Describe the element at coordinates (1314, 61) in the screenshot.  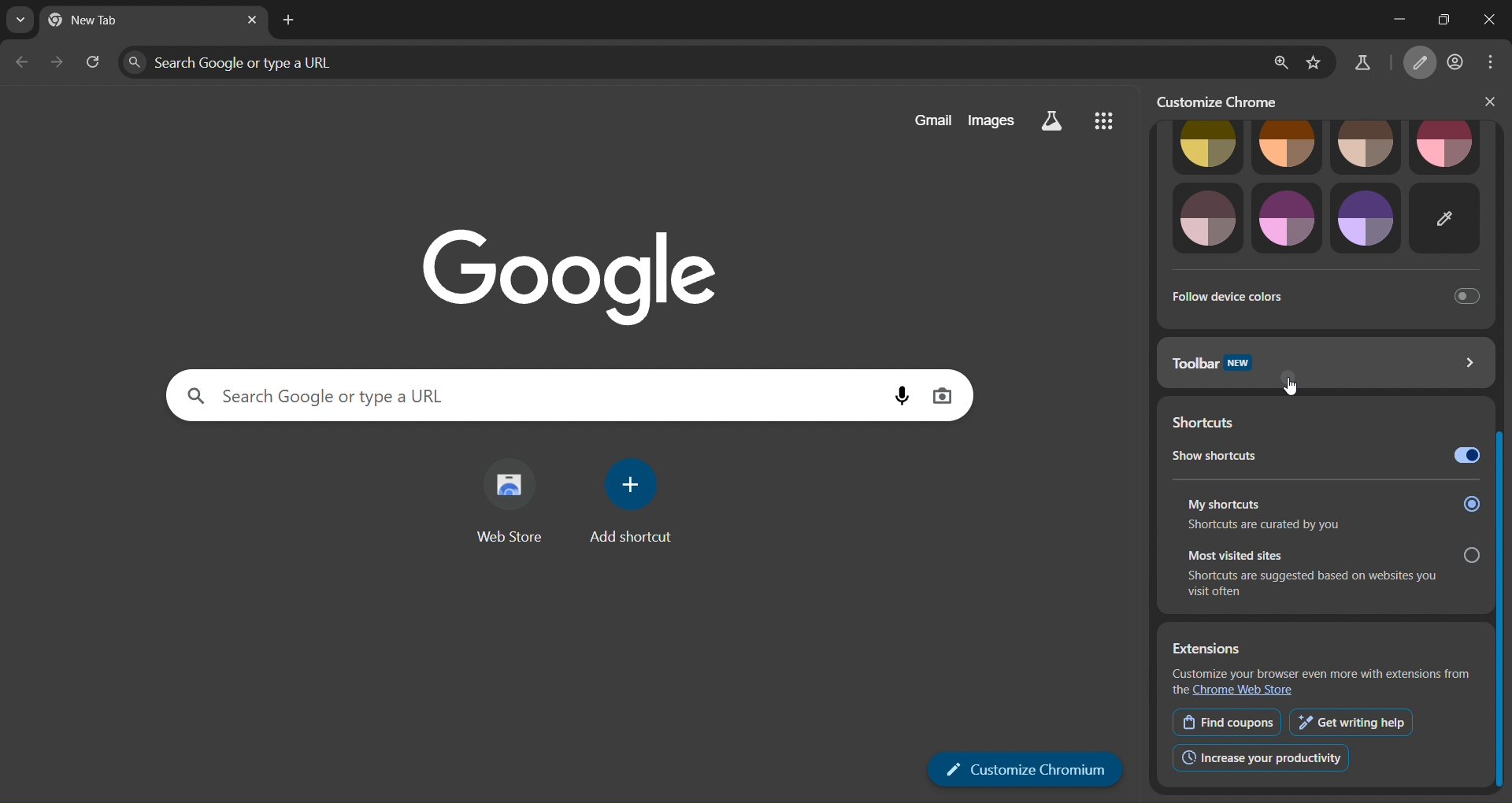
I see `bookmark page` at that location.